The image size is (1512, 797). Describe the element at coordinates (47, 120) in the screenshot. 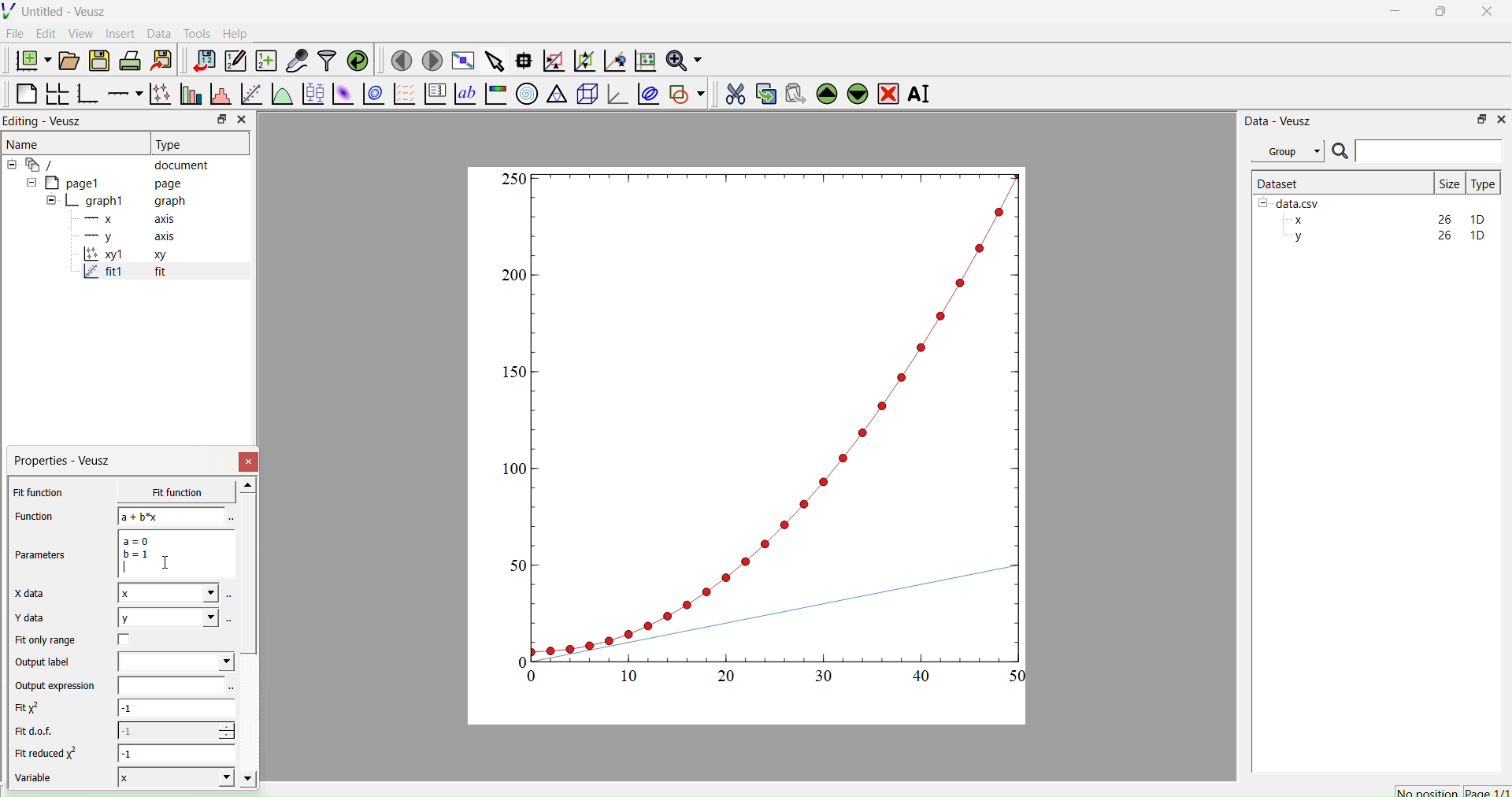

I see `Editing - Veusz` at that location.